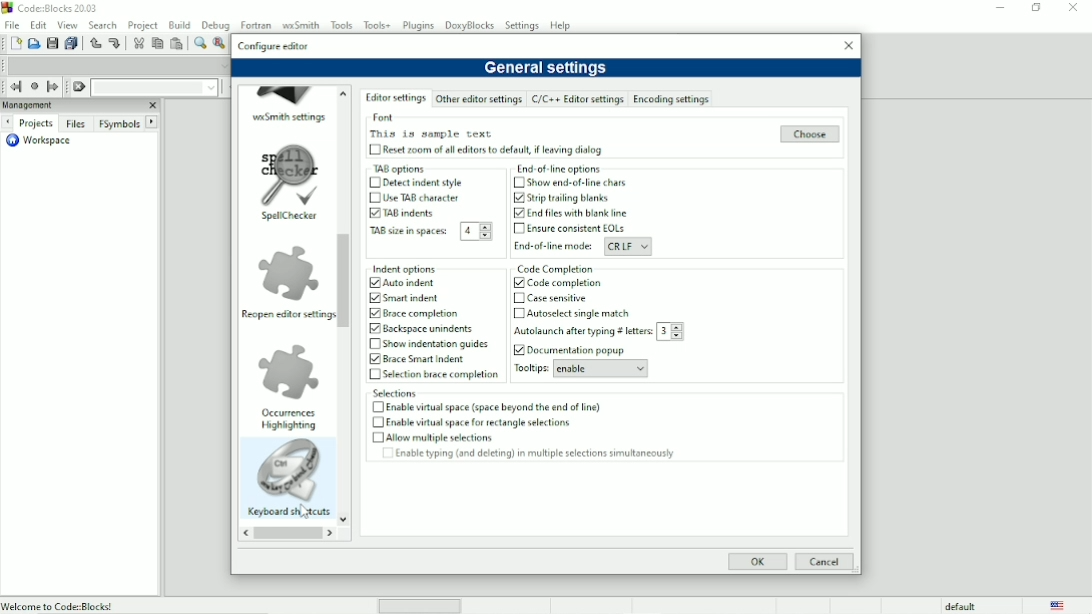 The height and width of the screenshot is (614, 1092). What do you see at coordinates (414, 298) in the screenshot?
I see `smart indent` at bounding box center [414, 298].